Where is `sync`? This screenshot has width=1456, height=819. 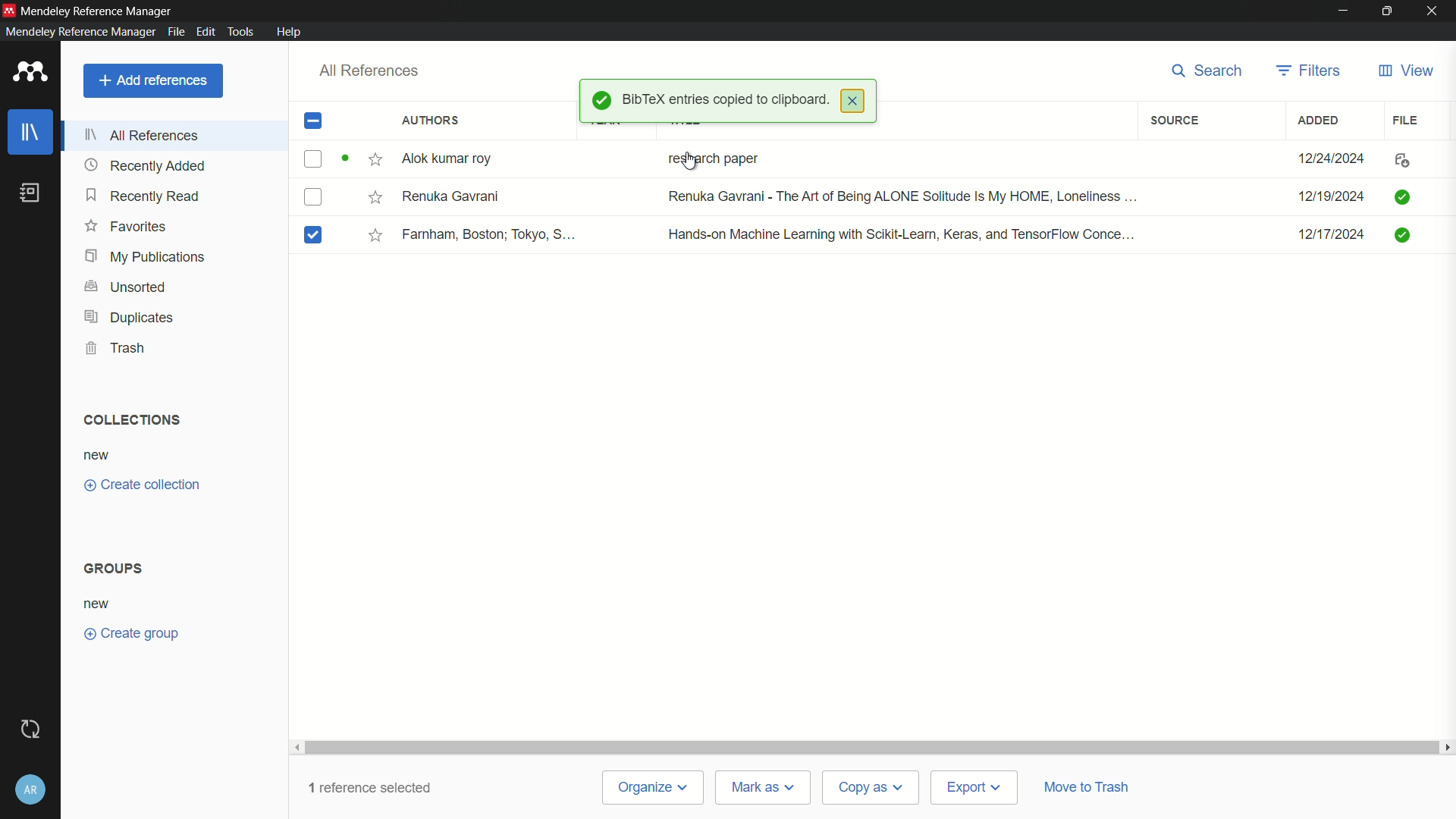 sync is located at coordinates (33, 727).